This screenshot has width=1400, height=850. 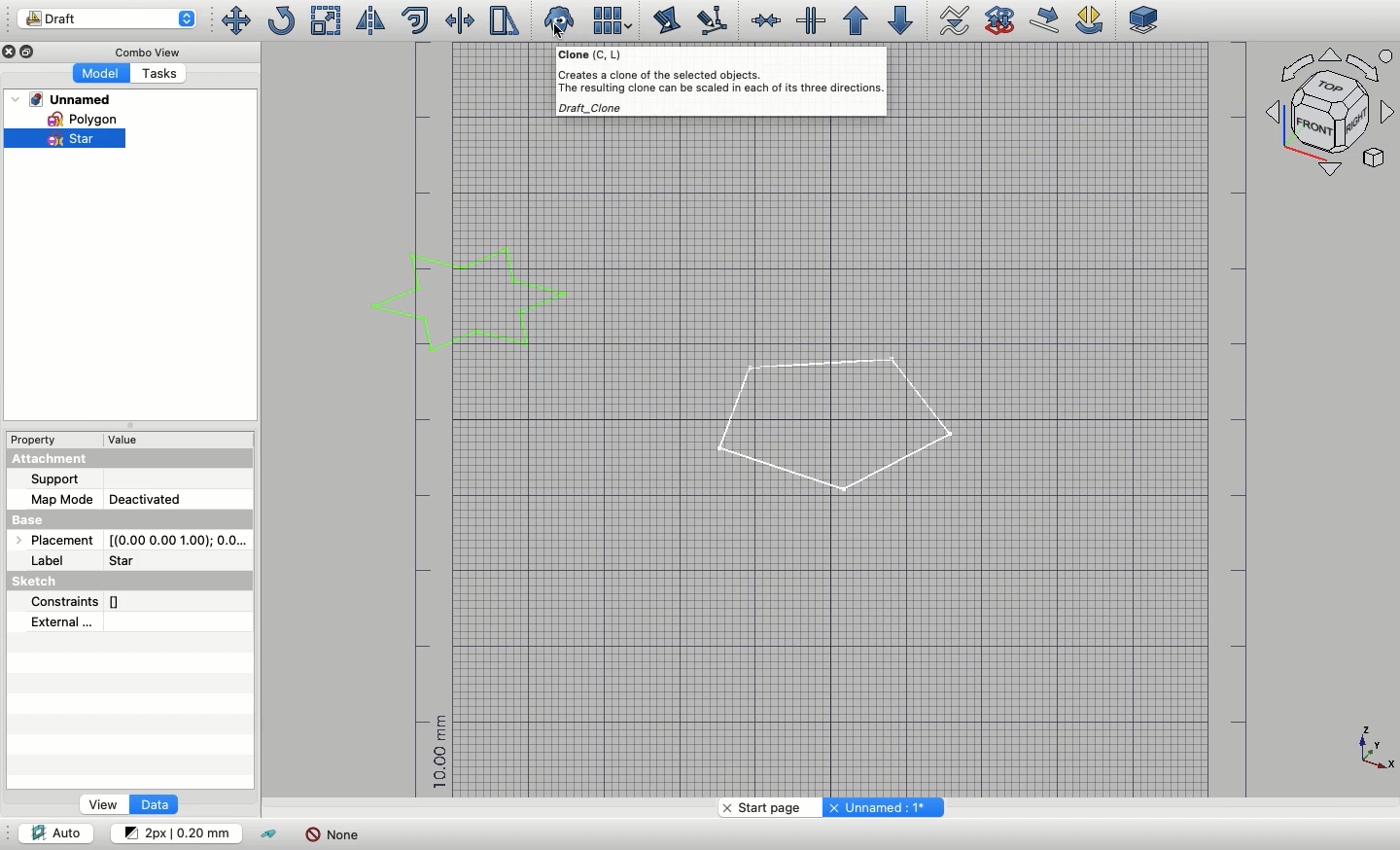 I want to click on Draft to sketch, so click(x=1000, y=18).